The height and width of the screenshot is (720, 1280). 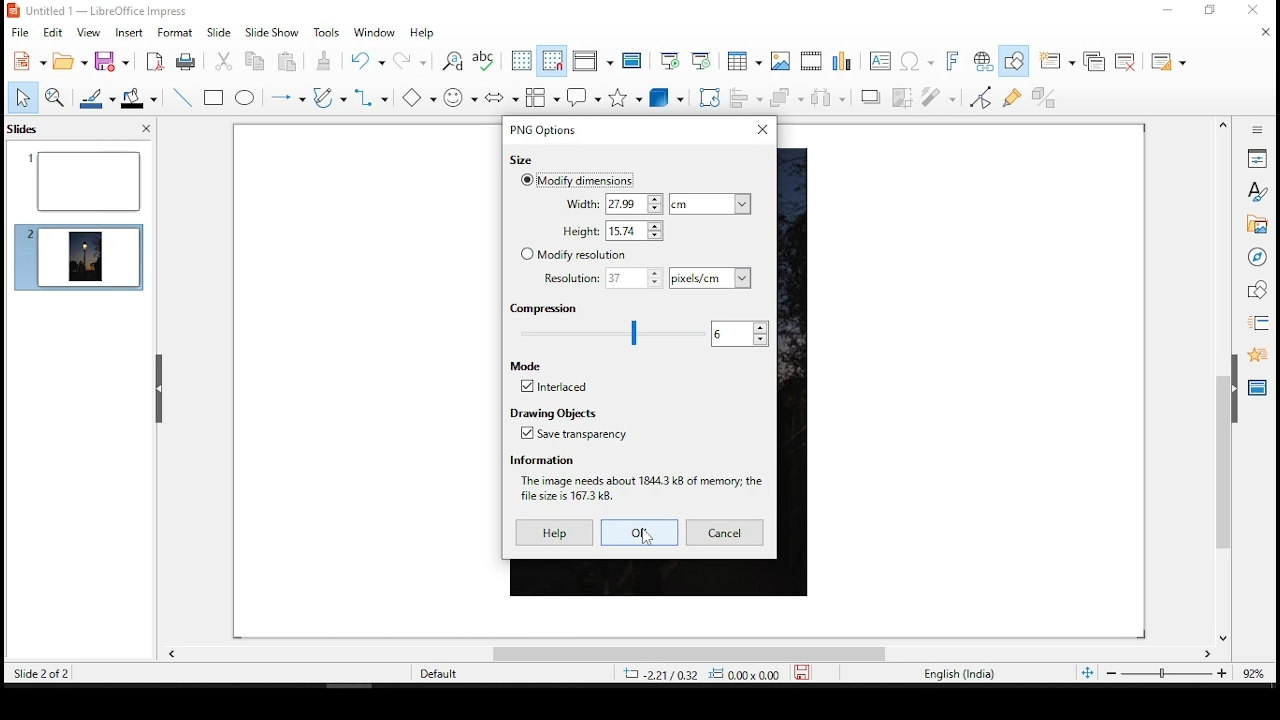 What do you see at coordinates (555, 386) in the screenshot?
I see `interlaced` at bounding box center [555, 386].